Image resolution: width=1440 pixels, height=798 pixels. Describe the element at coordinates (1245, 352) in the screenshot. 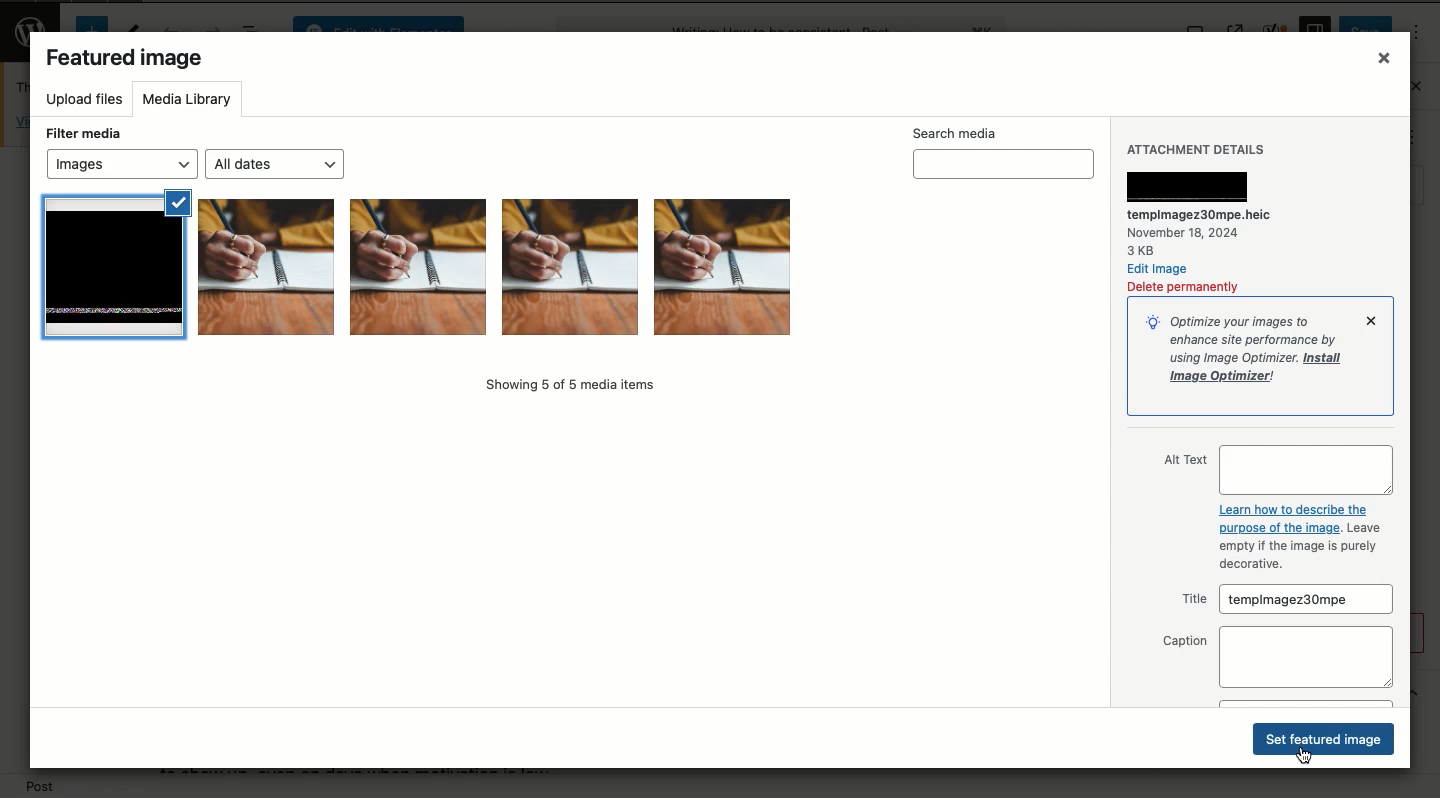

I see `Optimize your images toenhance site performance by.using Image Optimizer. InstallImage Optimizer!` at that location.